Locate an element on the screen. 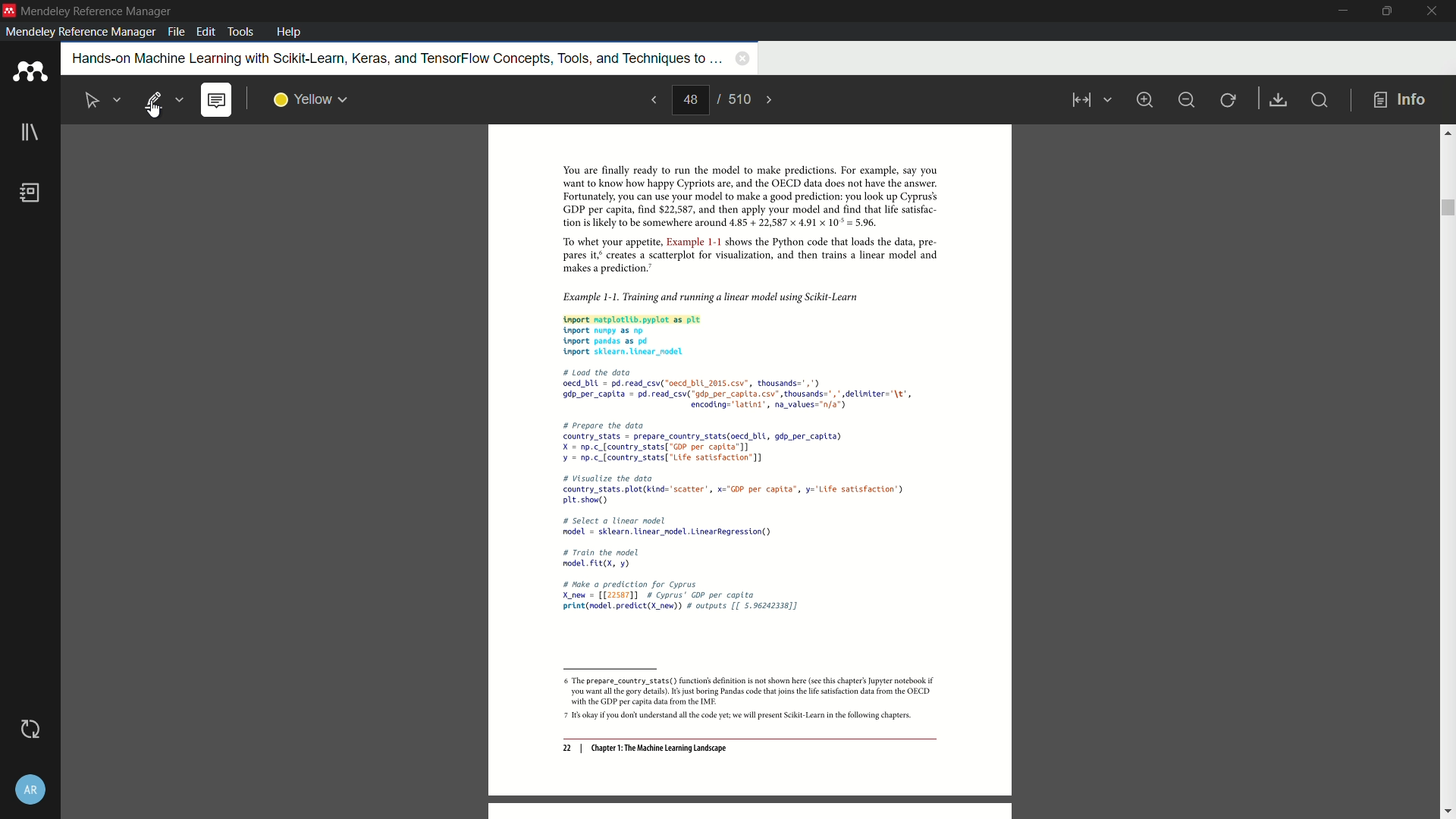 This screenshot has width=1456, height=819. tools menu is located at coordinates (240, 32).